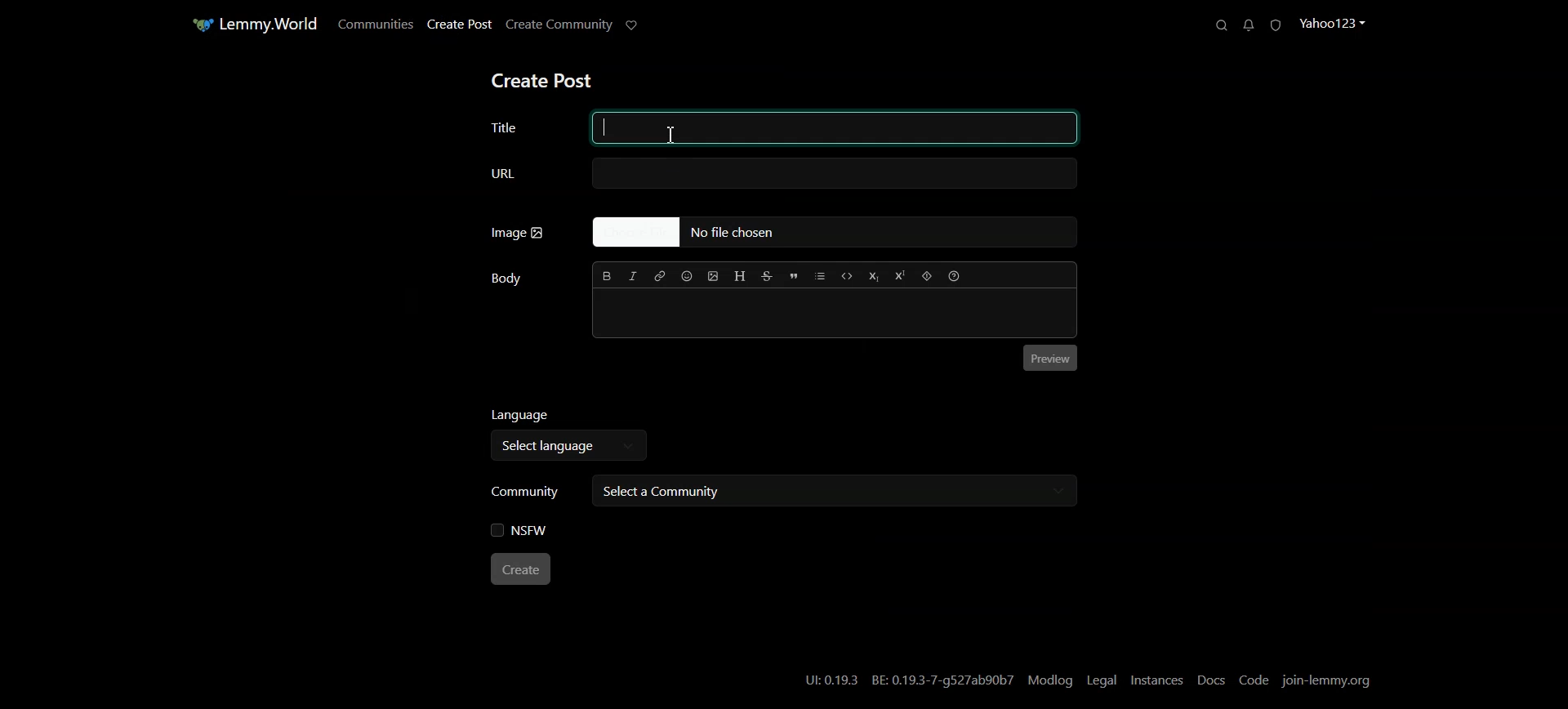  Describe the element at coordinates (1052, 680) in the screenshot. I see `Modlog` at that location.